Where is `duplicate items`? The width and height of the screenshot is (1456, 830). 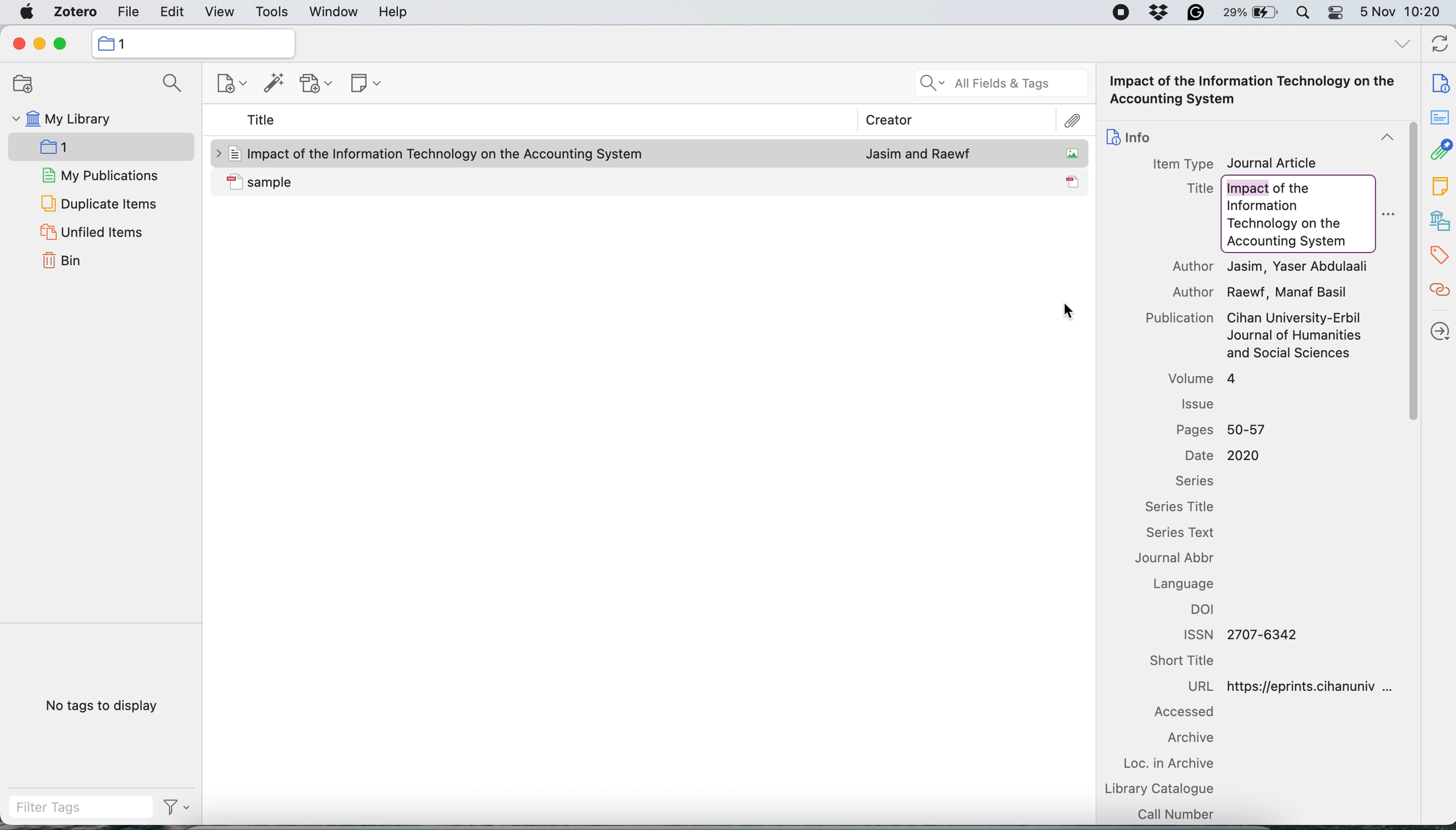 duplicate items is located at coordinates (97, 205).